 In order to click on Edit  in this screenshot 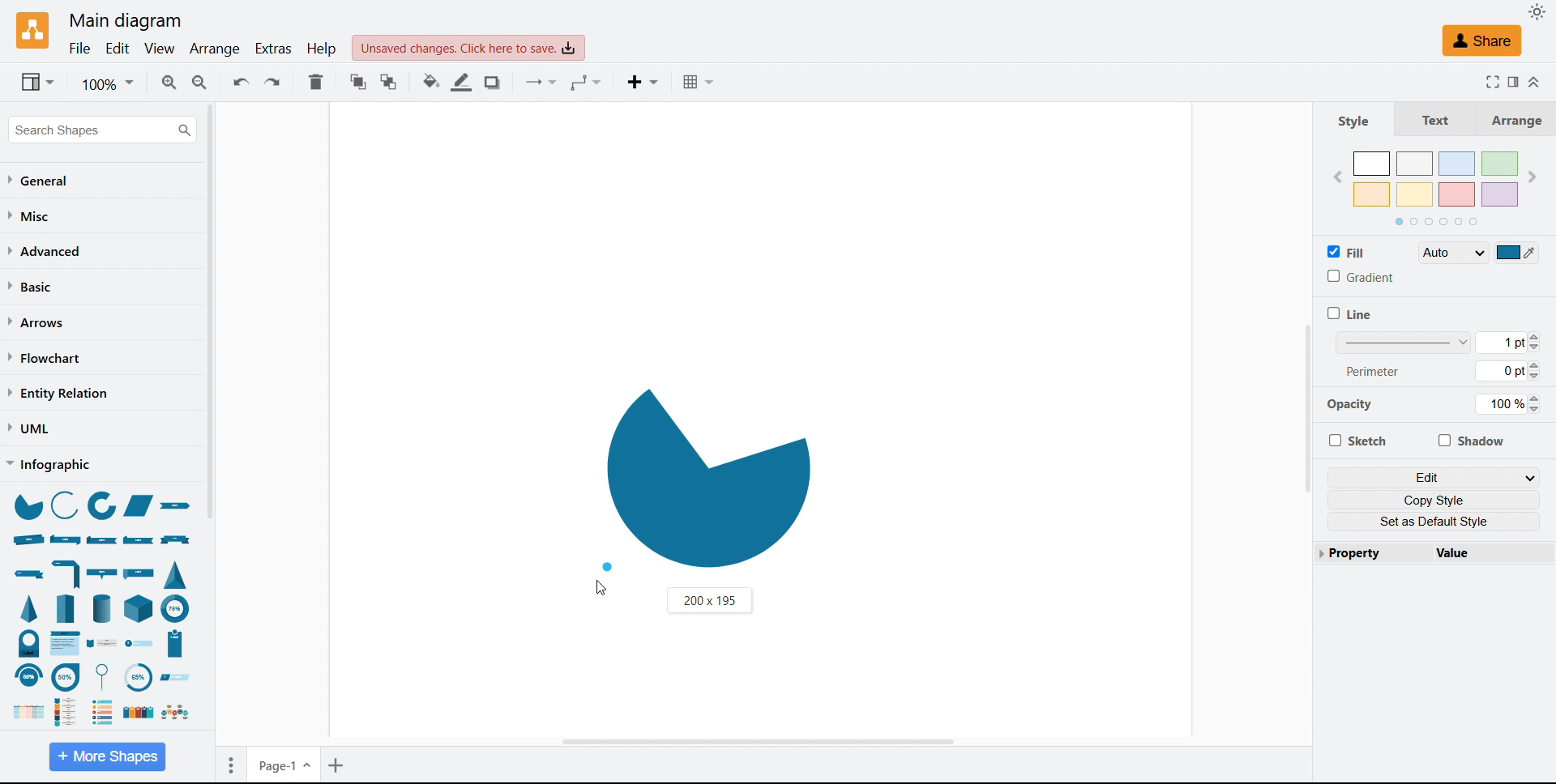, I will do `click(118, 49)`.